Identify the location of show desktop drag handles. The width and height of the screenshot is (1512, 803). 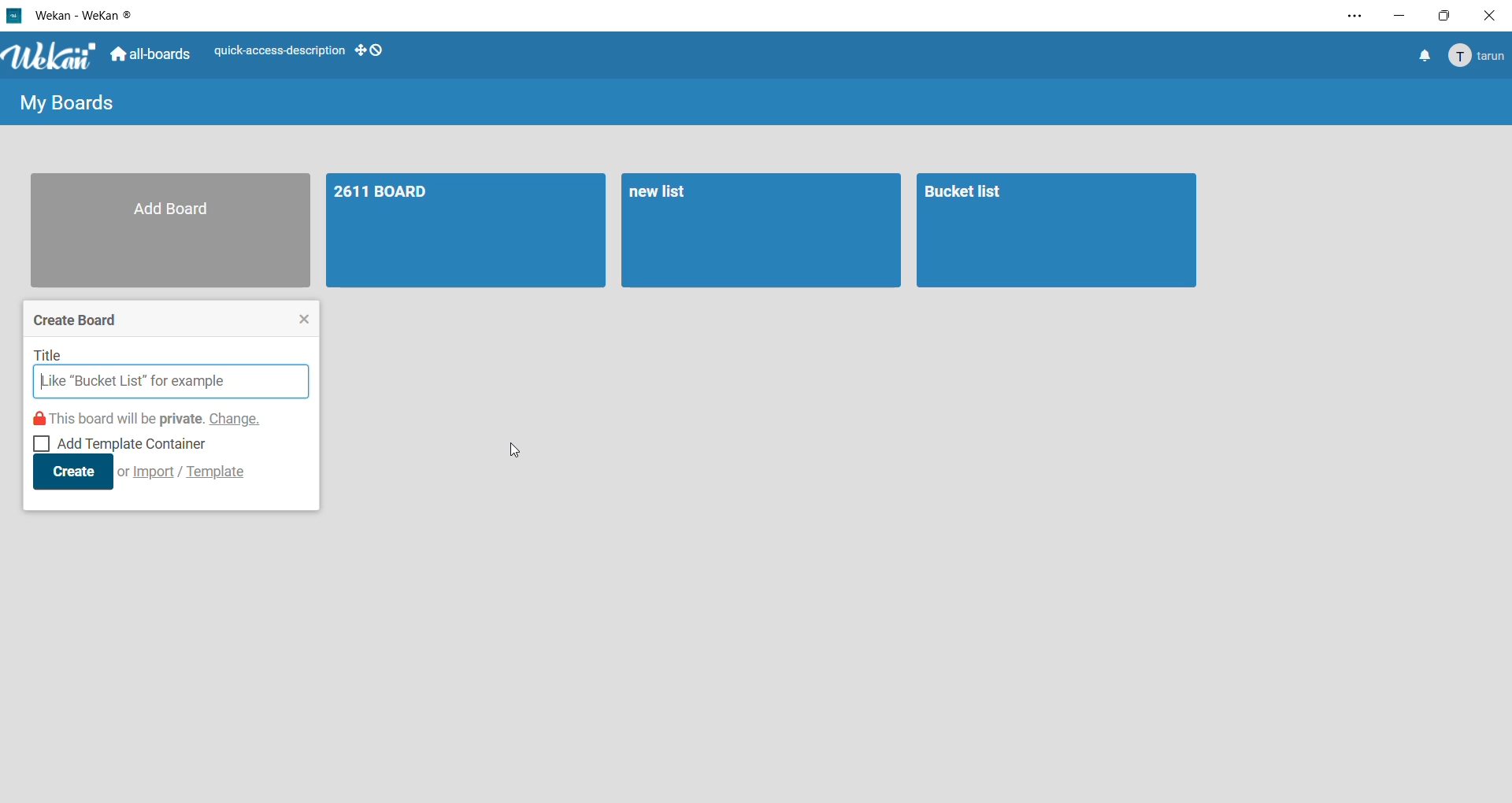
(369, 52).